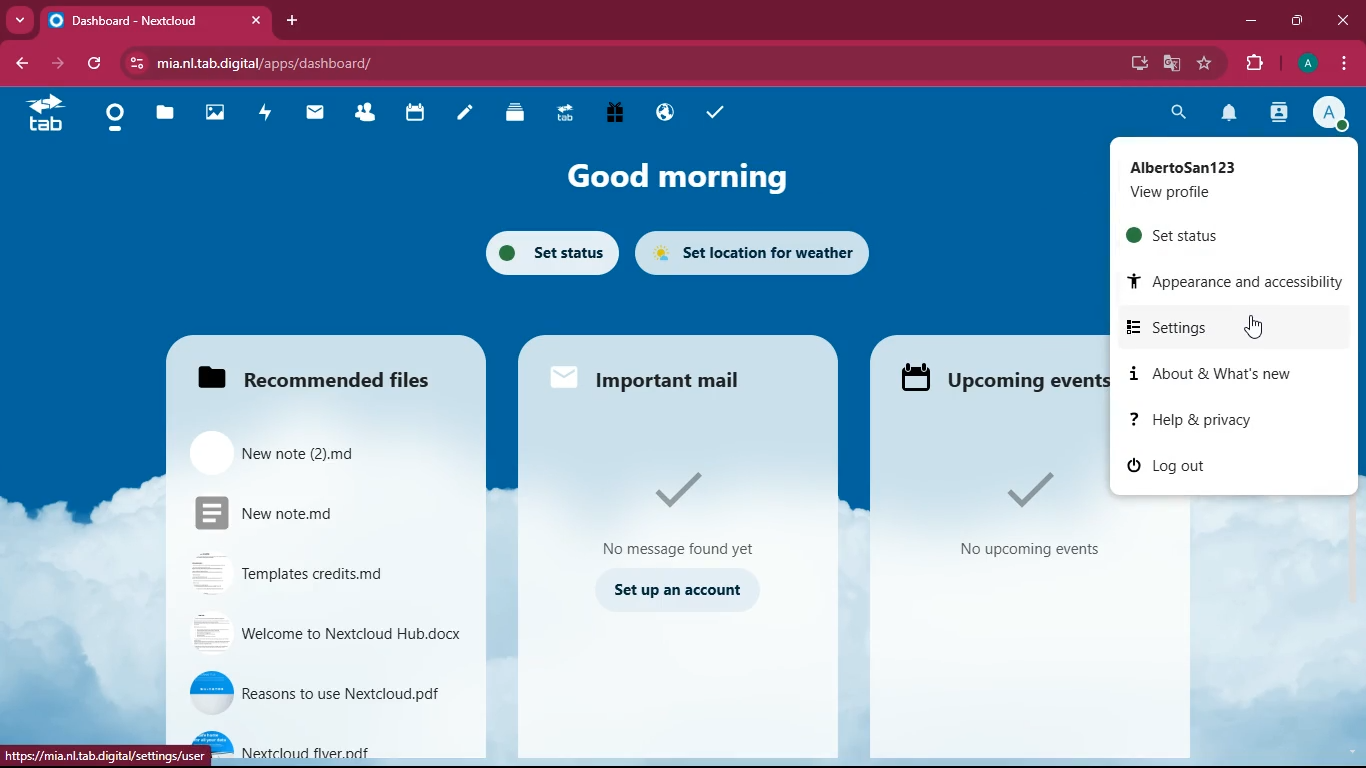  I want to click on images, so click(219, 115).